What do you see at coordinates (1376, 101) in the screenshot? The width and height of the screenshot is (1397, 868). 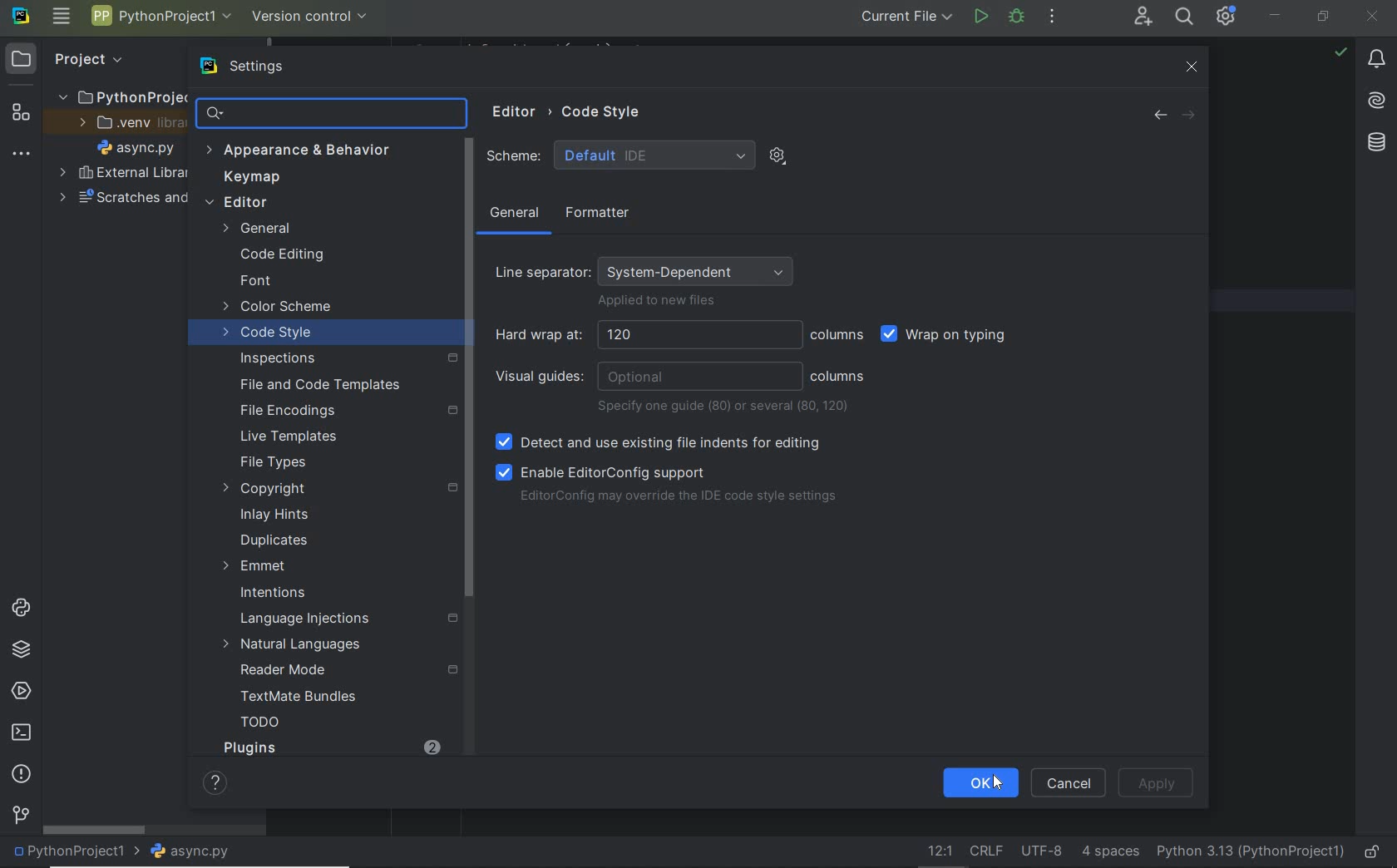 I see `AI Assistant` at bounding box center [1376, 101].